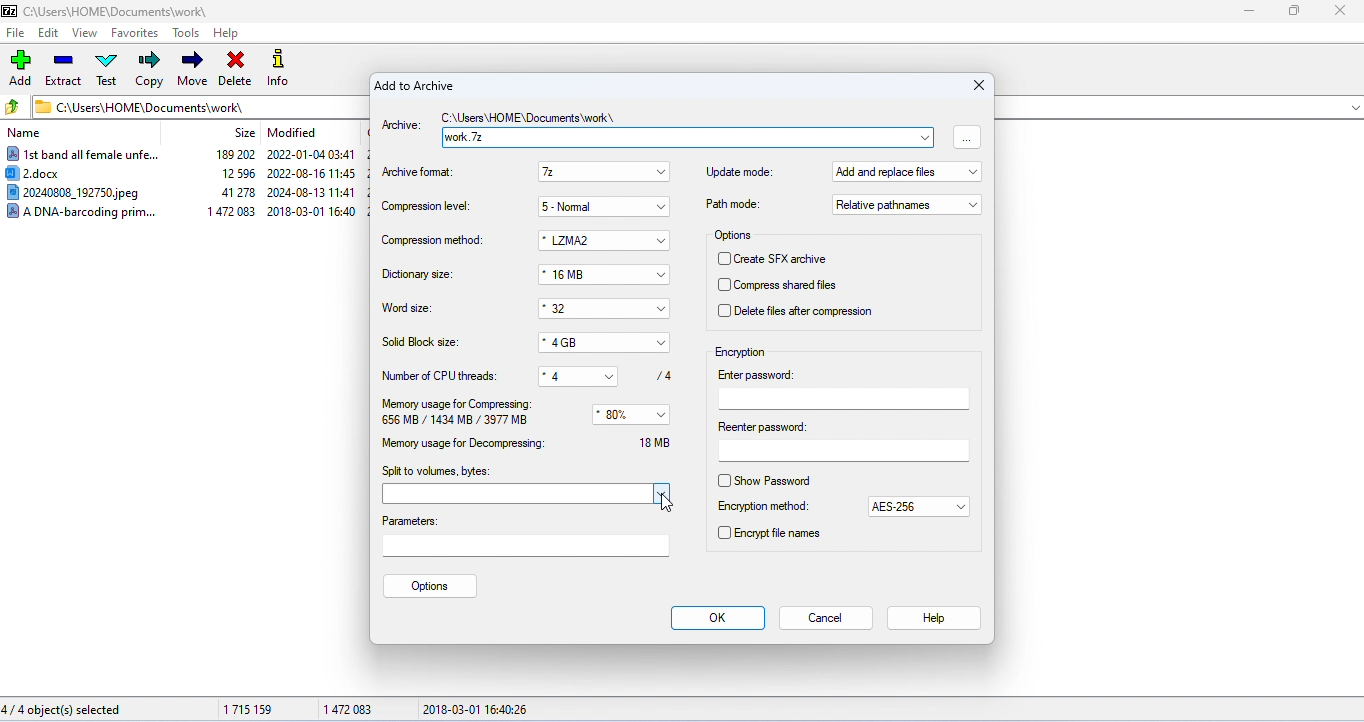 Image resolution: width=1364 pixels, height=722 pixels. What do you see at coordinates (106, 11) in the screenshot?
I see `CAUsers\HOME\Documents\work\` at bounding box center [106, 11].